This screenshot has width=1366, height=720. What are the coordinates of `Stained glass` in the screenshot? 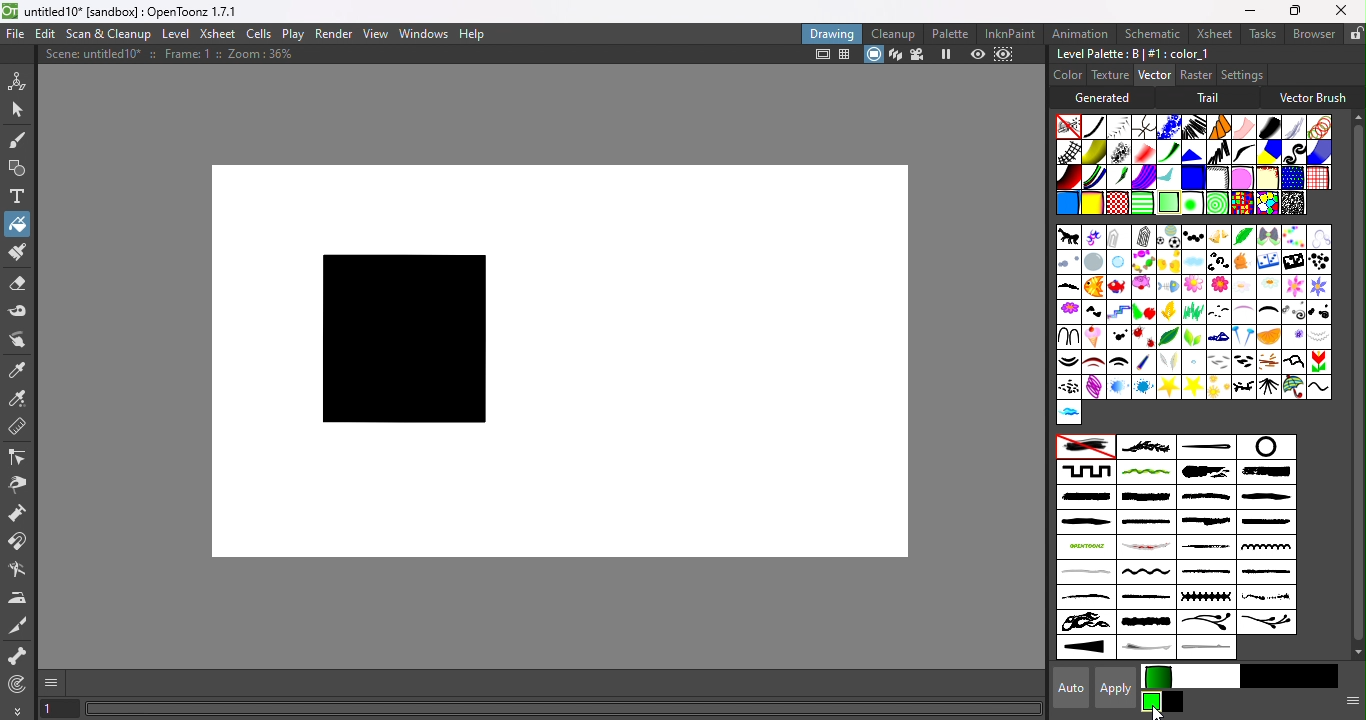 It's located at (1241, 202).